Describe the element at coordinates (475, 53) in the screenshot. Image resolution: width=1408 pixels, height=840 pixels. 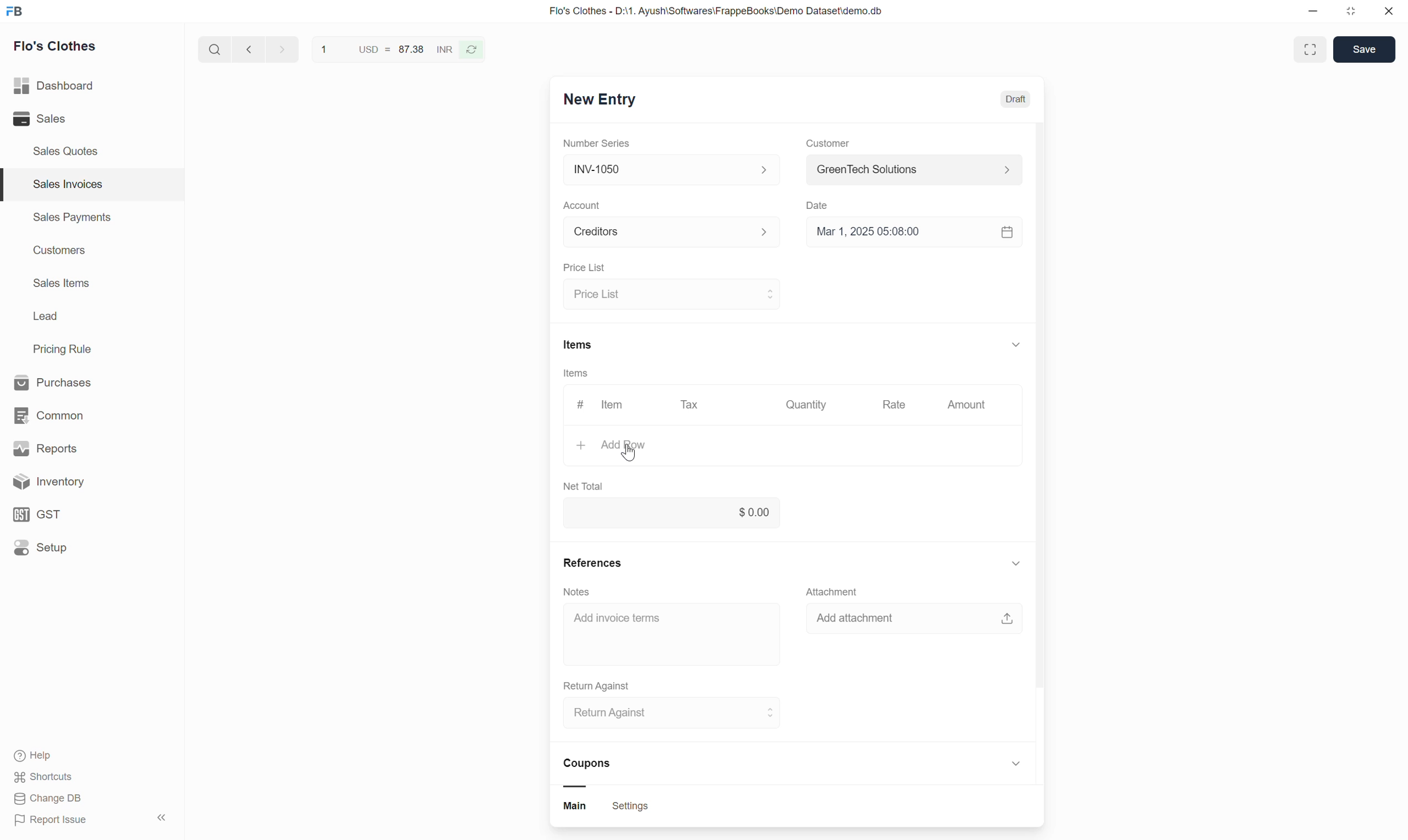
I see `refresh` at that location.